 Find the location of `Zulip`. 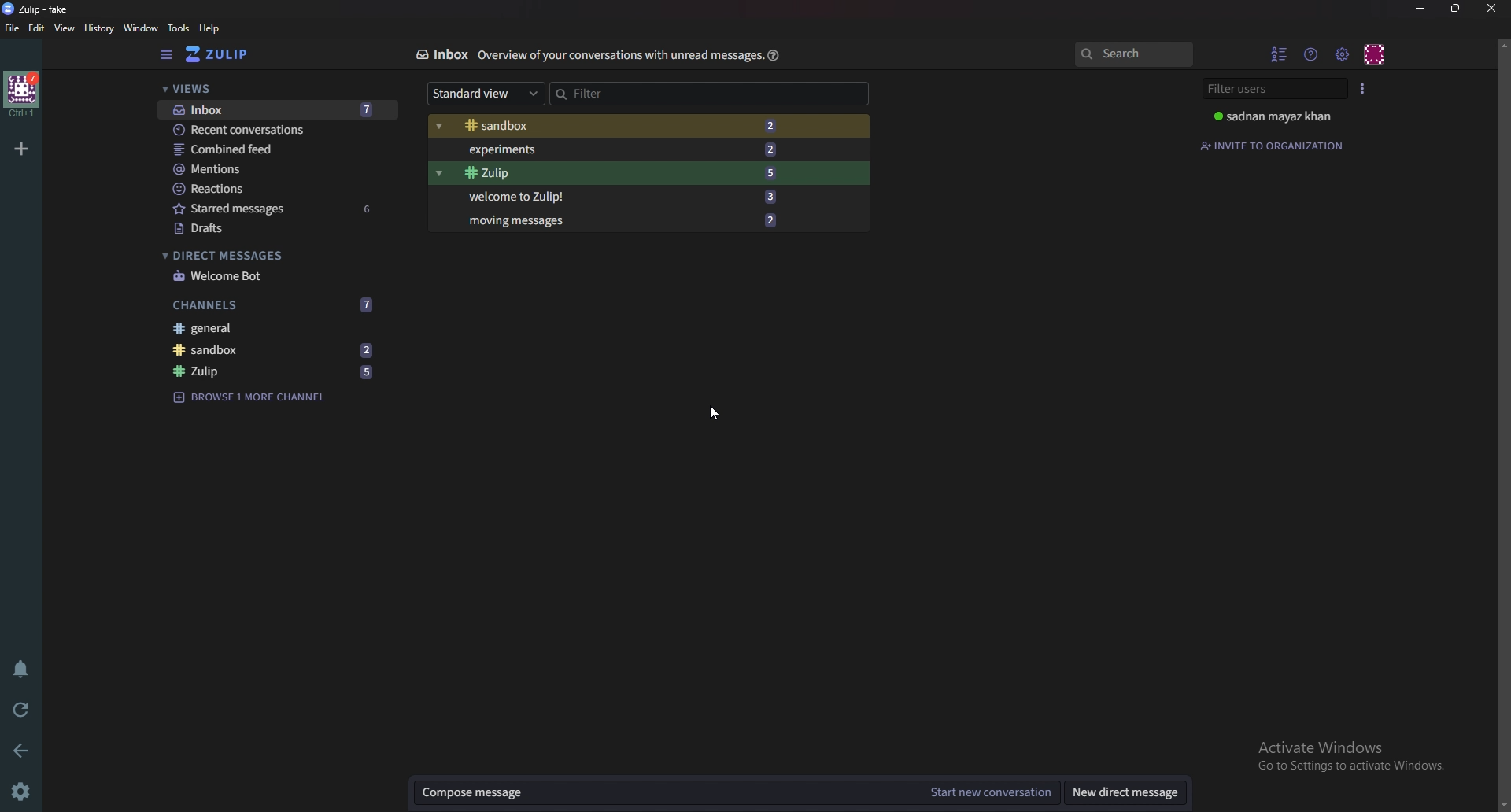

Zulip is located at coordinates (616, 173).